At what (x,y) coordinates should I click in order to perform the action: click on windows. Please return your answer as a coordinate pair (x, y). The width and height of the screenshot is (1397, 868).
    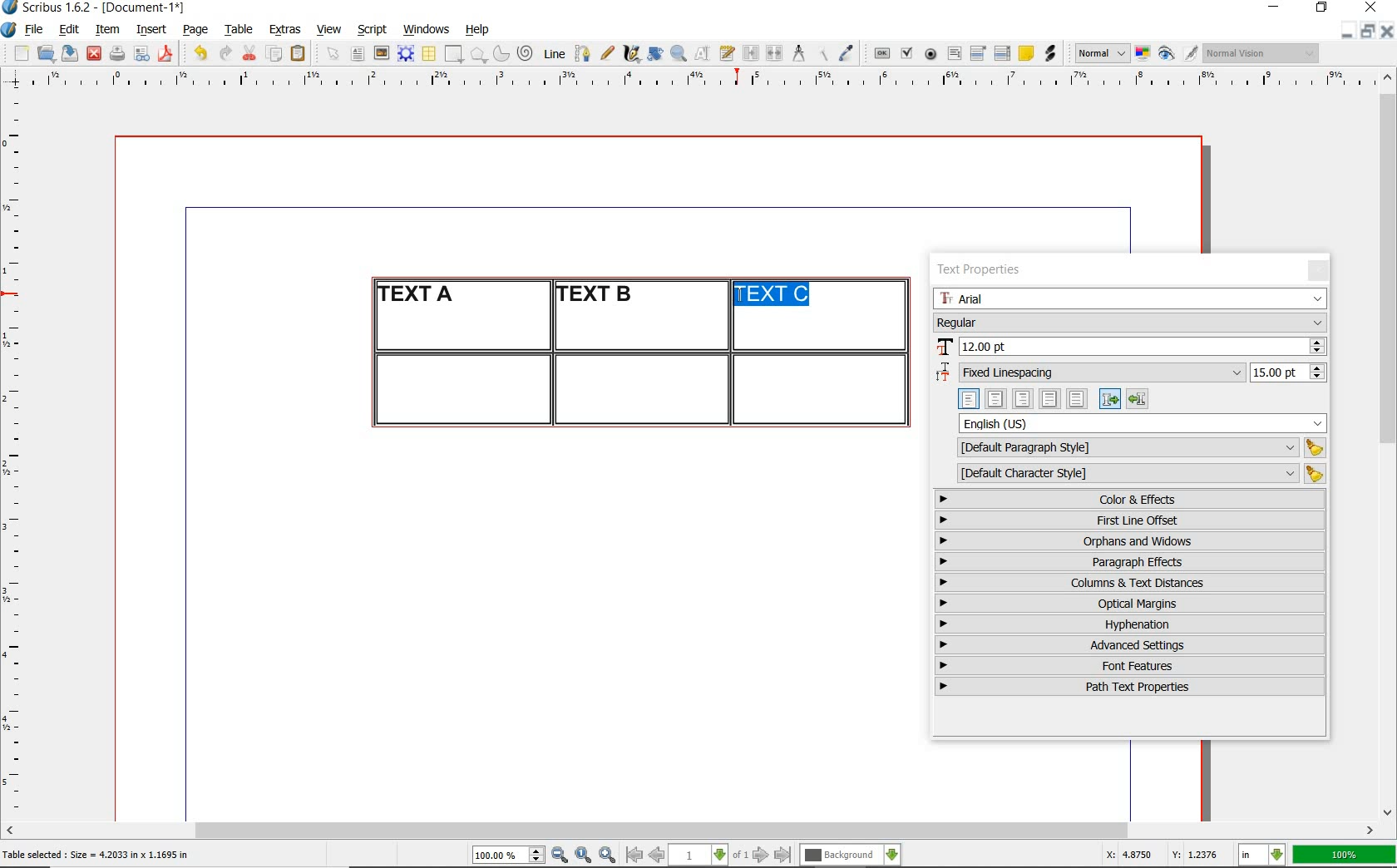
    Looking at the image, I should click on (427, 30).